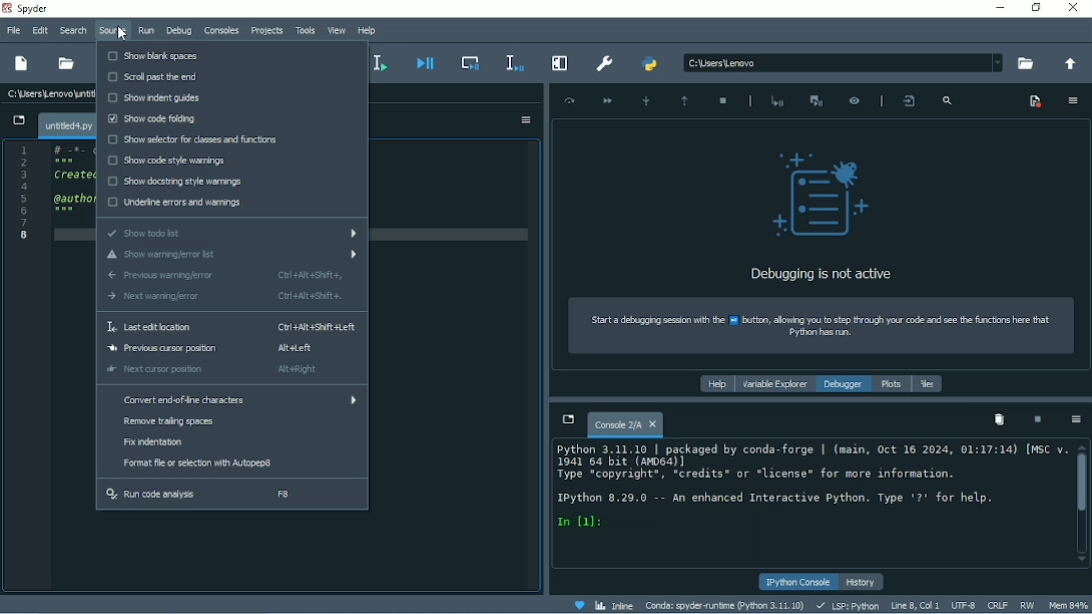  What do you see at coordinates (68, 153) in the screenshot?
I see `Coding` at bounding box center [68, 153].